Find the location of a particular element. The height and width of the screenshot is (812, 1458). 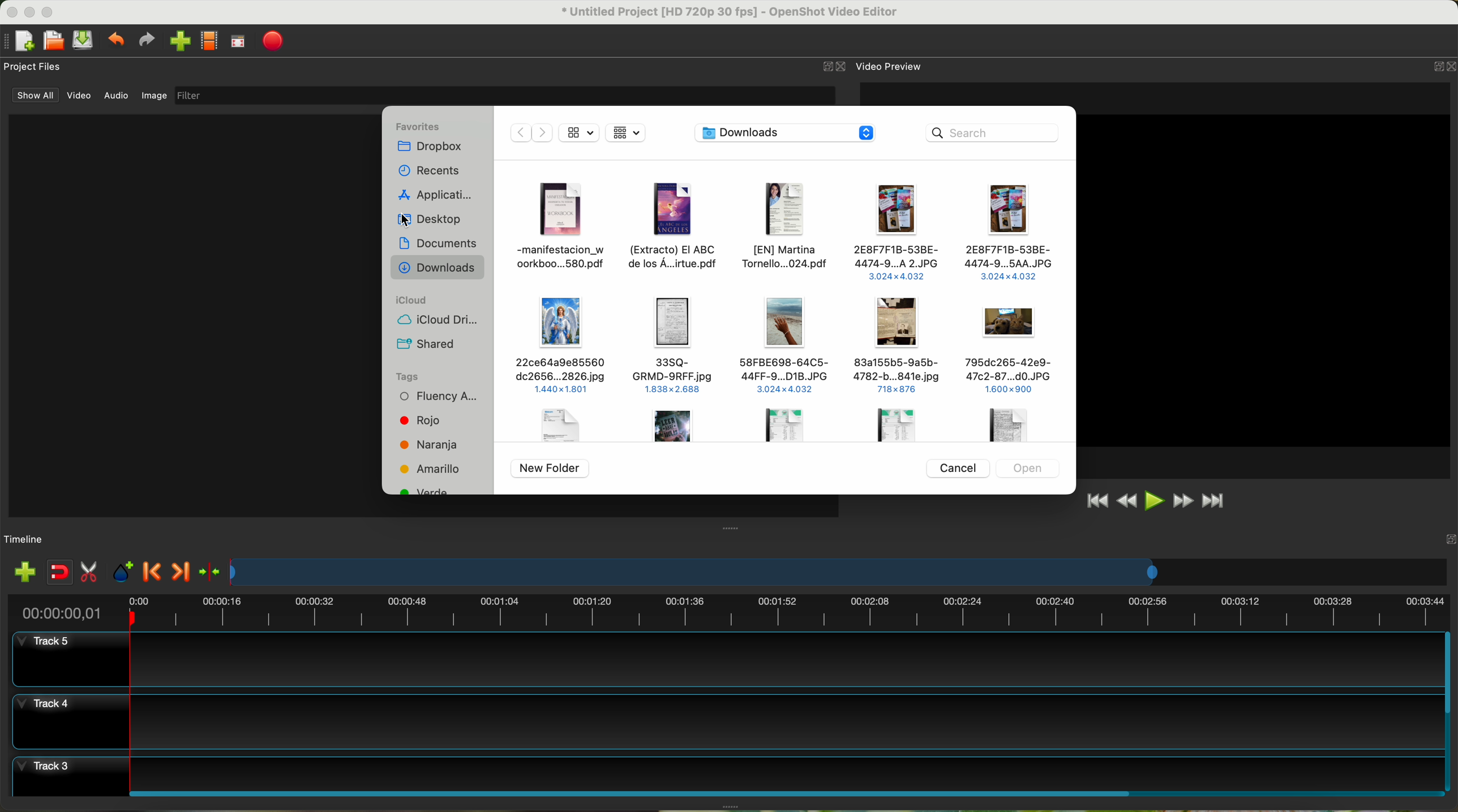

cancel button is located at coordinates (957, 467).